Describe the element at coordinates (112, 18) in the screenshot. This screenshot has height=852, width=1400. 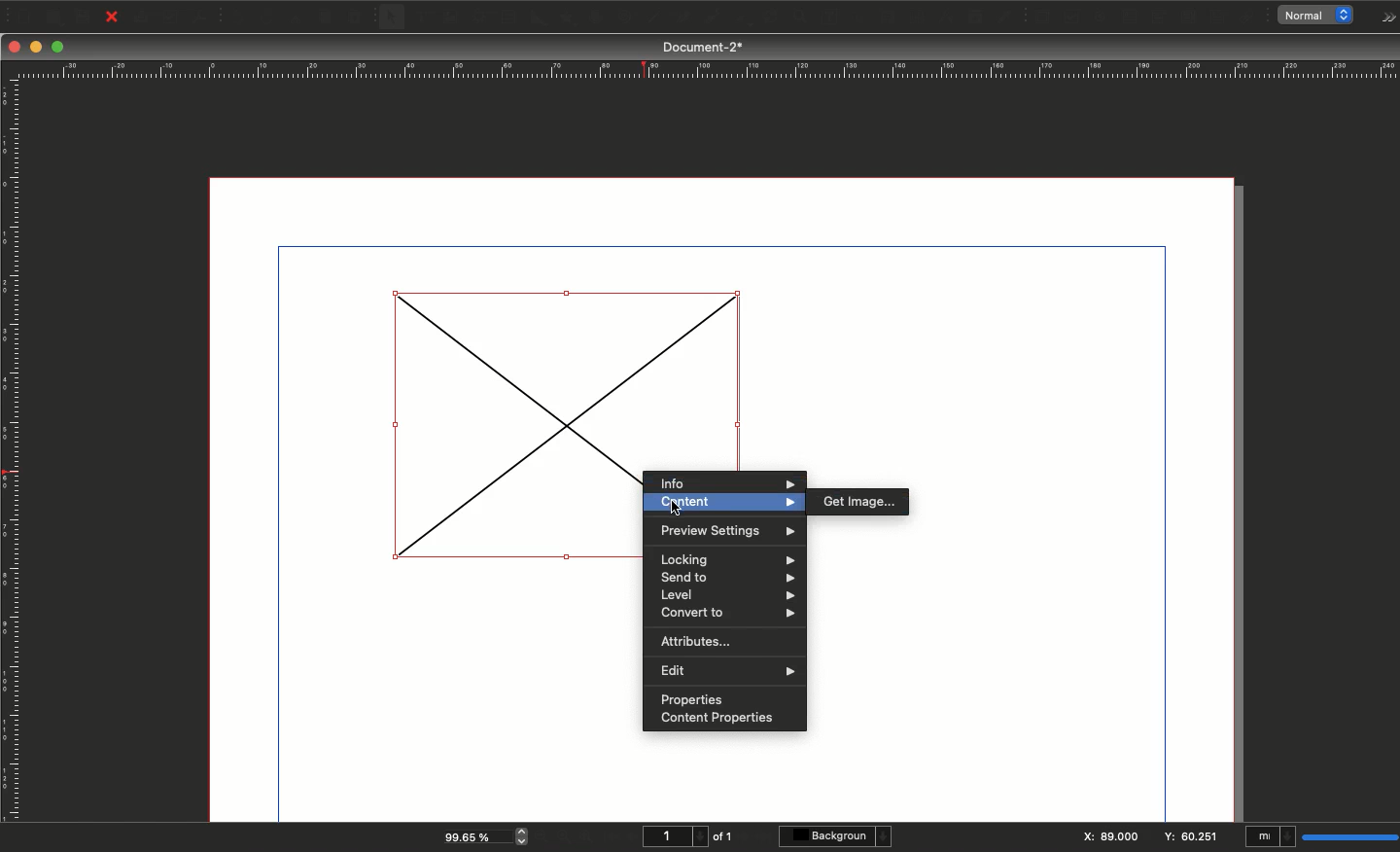
I see `Close` at that location.